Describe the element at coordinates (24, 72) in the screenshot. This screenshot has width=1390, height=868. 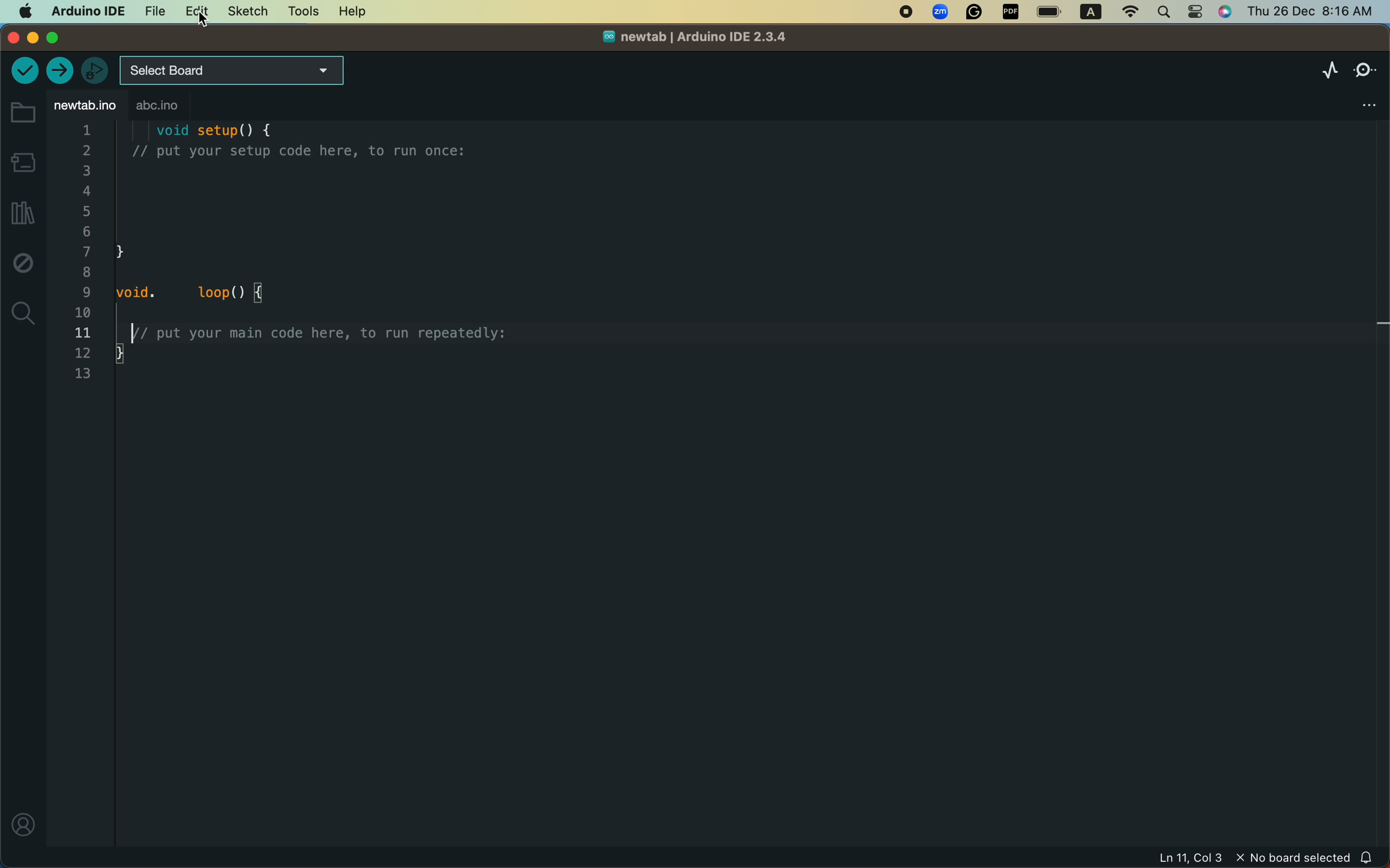
I see `verify` at that location.